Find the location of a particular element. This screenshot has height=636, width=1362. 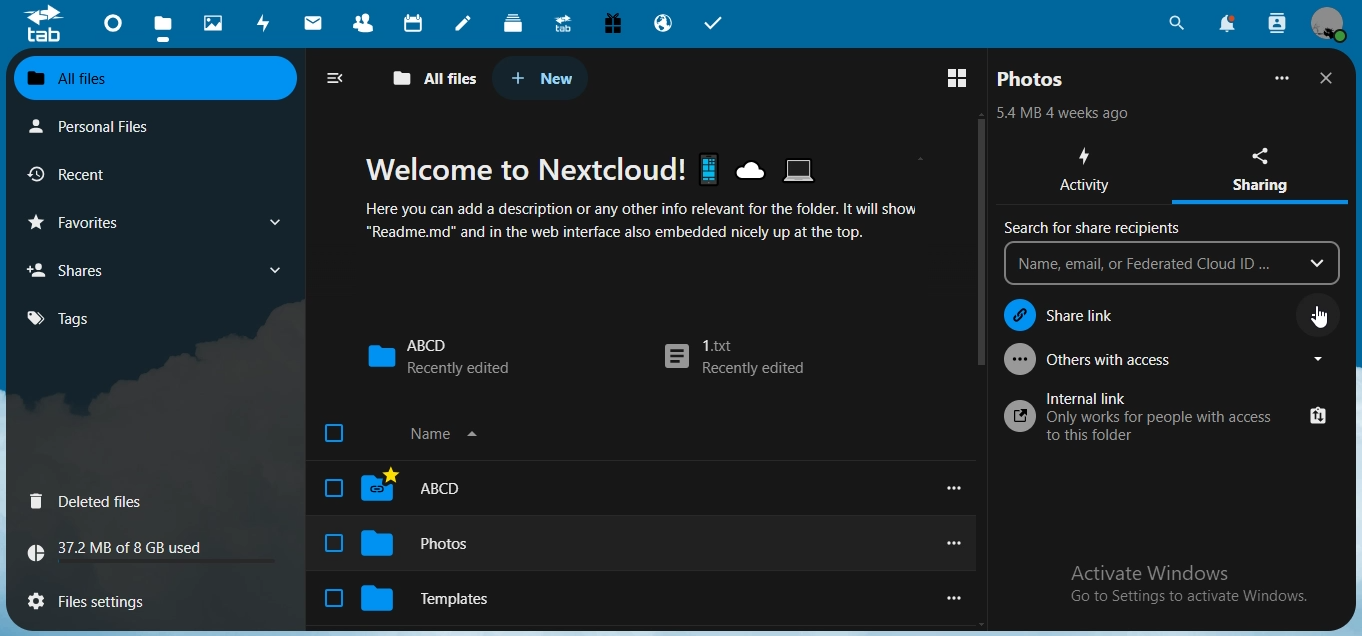

files is located at coordinates (99, 598).